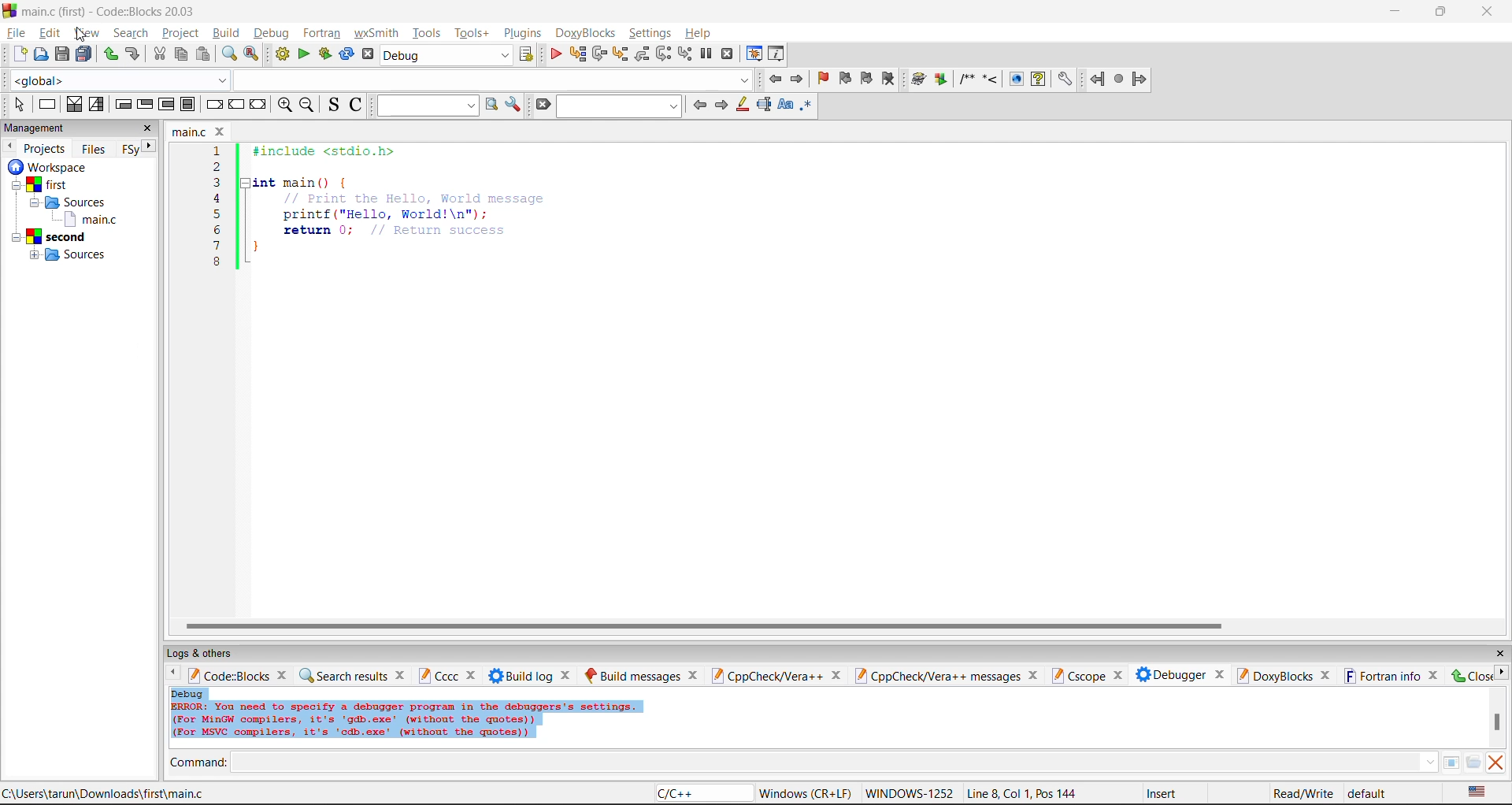 This screenshot has width=1512, height=805. I want to click on text to search, so click(424, 106).